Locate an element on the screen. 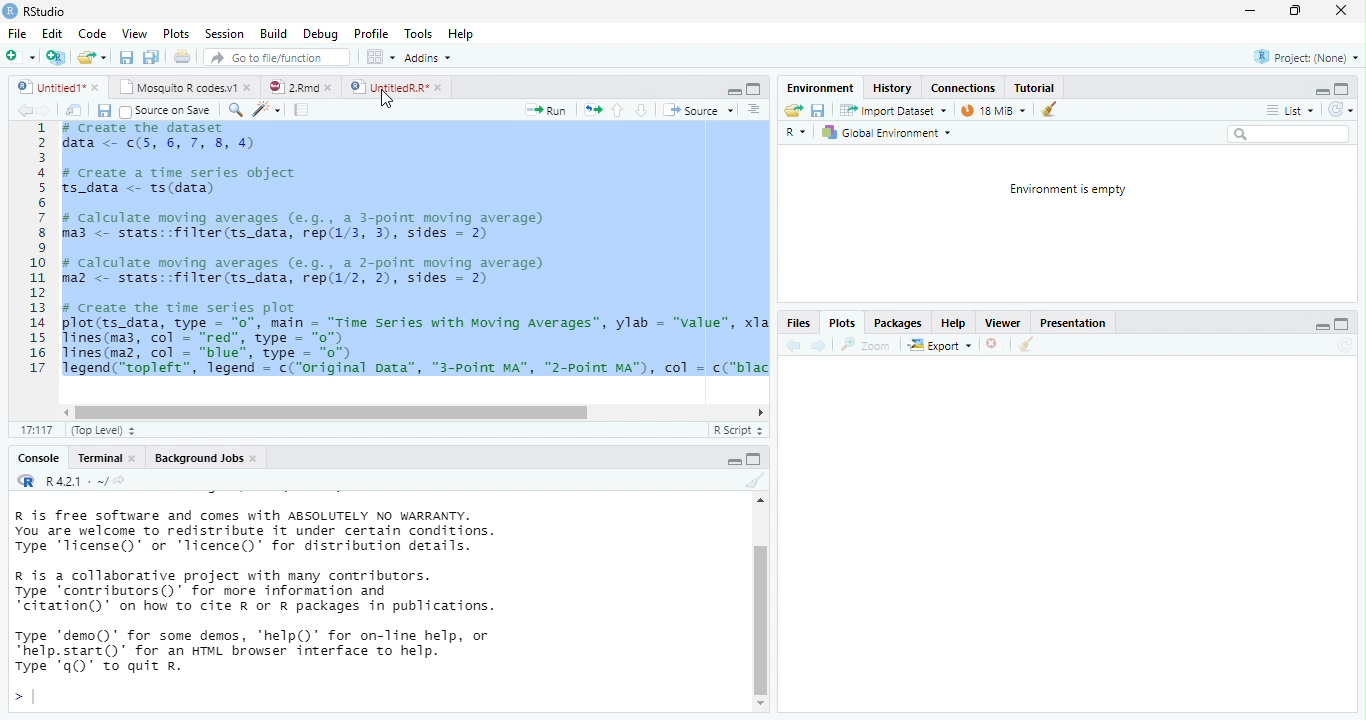 The image size is (1366, 720). Terminal is located at coordinates (99, 458).